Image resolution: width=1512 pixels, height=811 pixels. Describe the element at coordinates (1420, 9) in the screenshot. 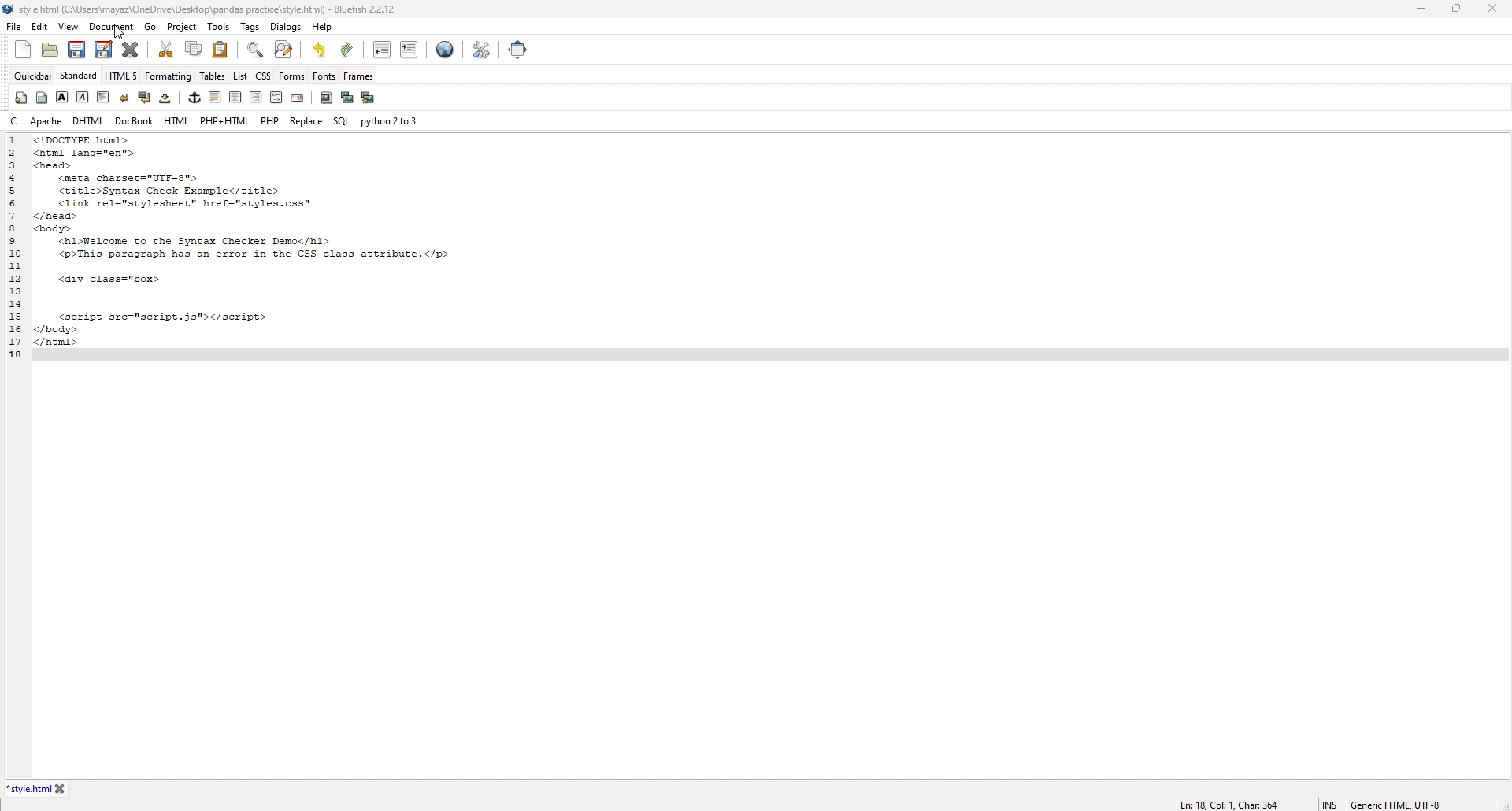

I see `minimize` at that location.